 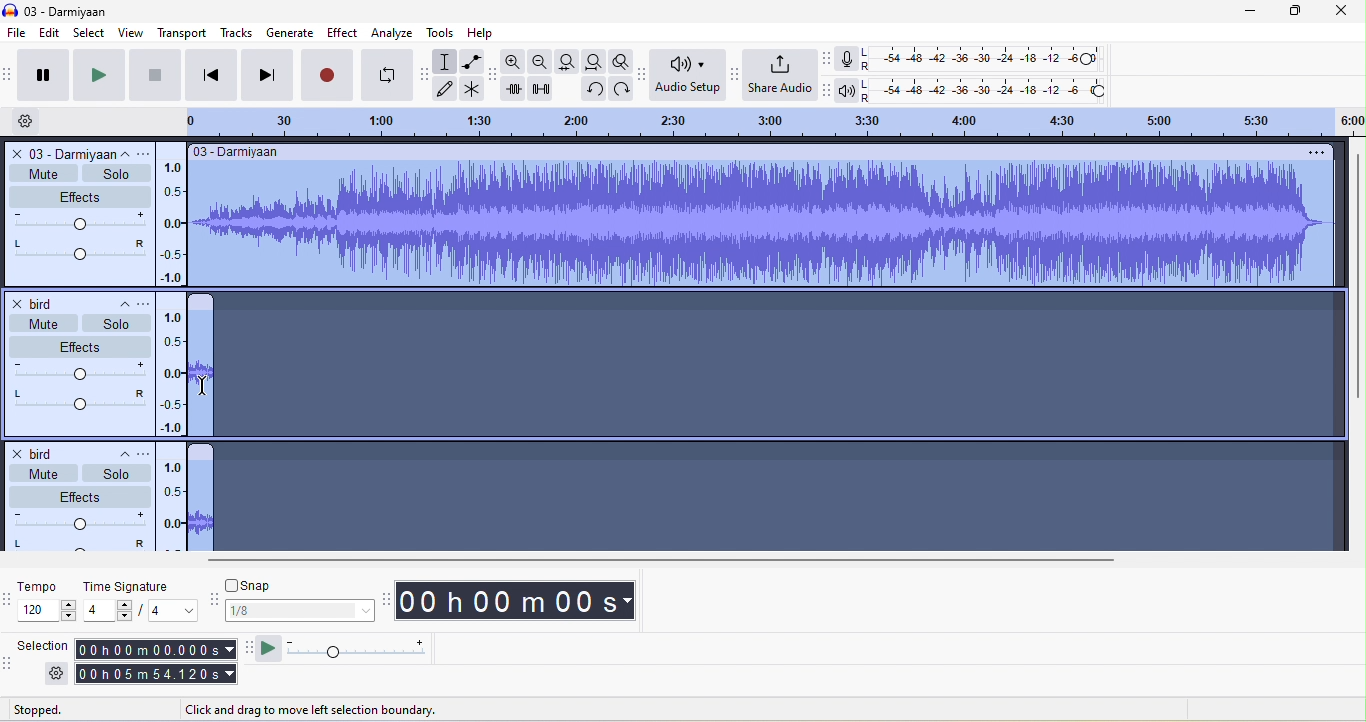 What do you see at coordinates (340, 34) in the screenshot?
I see `effect` at bounding box center [340, 34].